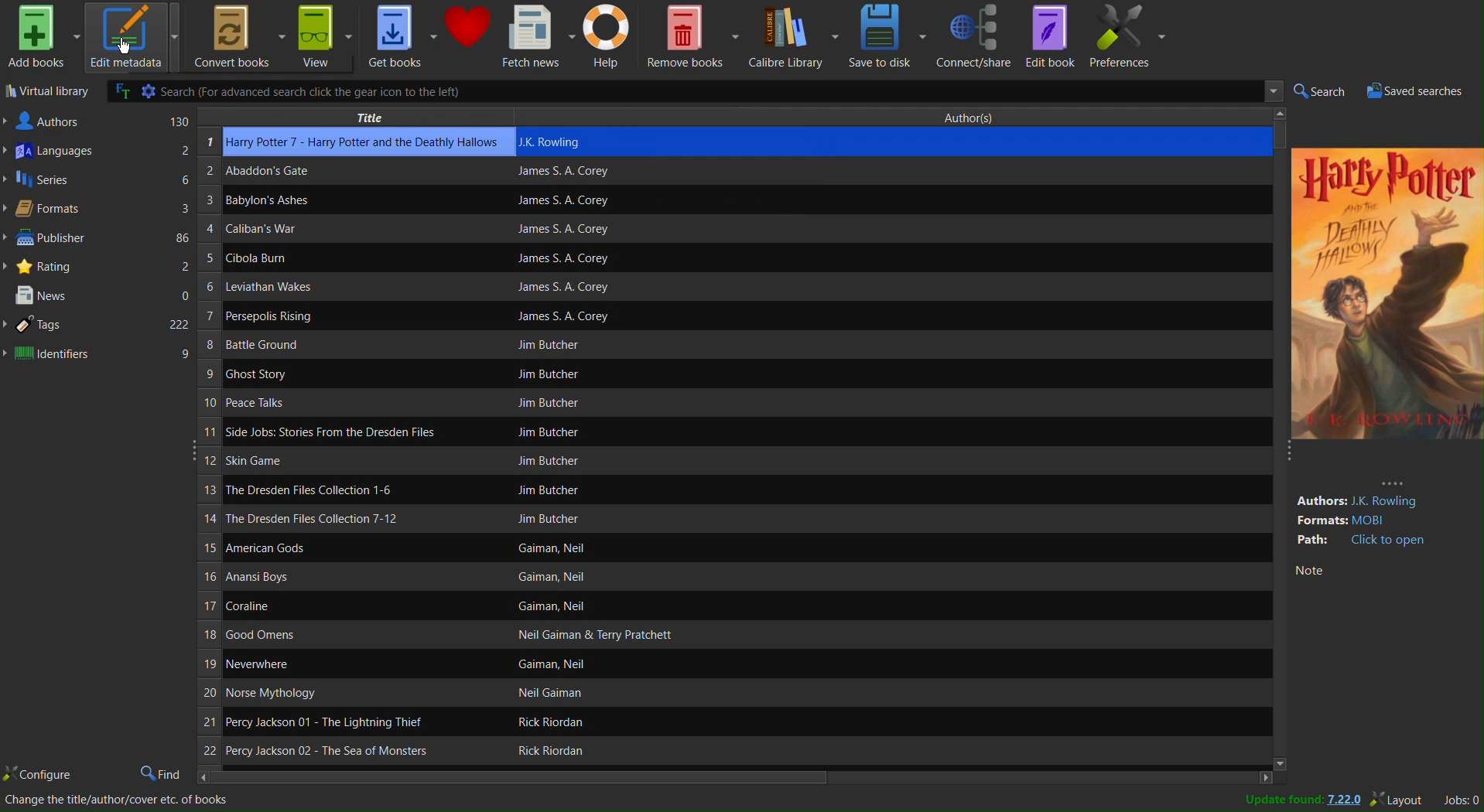 The height and width of the screenshot is (812, 1484). What do you see at coordinates (292, 319) in the screenshot?
I see `Book name` at bounding box center [292, 319].